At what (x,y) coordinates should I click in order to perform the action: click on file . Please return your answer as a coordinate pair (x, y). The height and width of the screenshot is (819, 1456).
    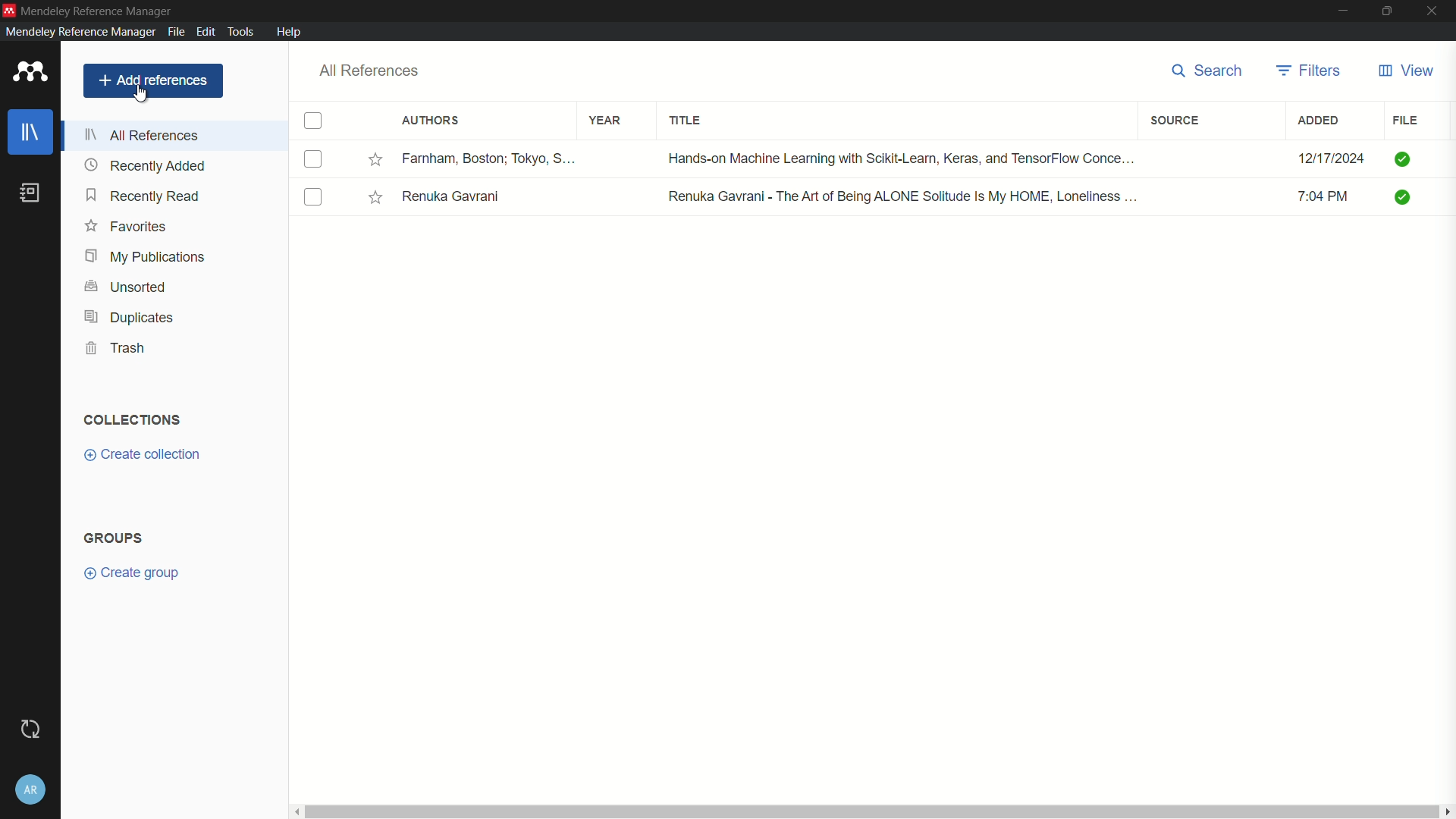
    Looking at the image, I should click on (177, 31).